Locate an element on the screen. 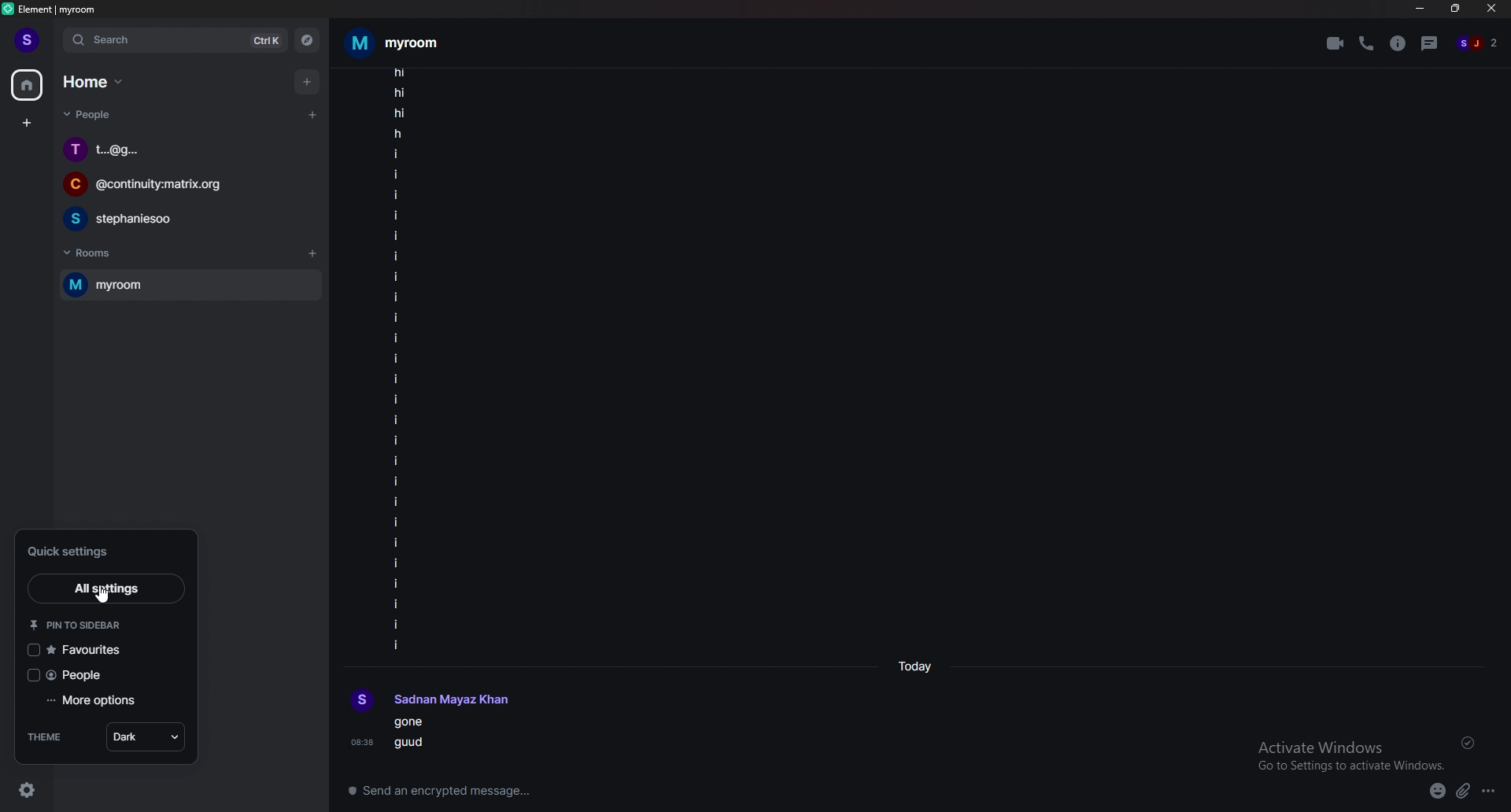 The height and width of the screenshot is (812, 1511). search bar is located at coordinates (176, 39).